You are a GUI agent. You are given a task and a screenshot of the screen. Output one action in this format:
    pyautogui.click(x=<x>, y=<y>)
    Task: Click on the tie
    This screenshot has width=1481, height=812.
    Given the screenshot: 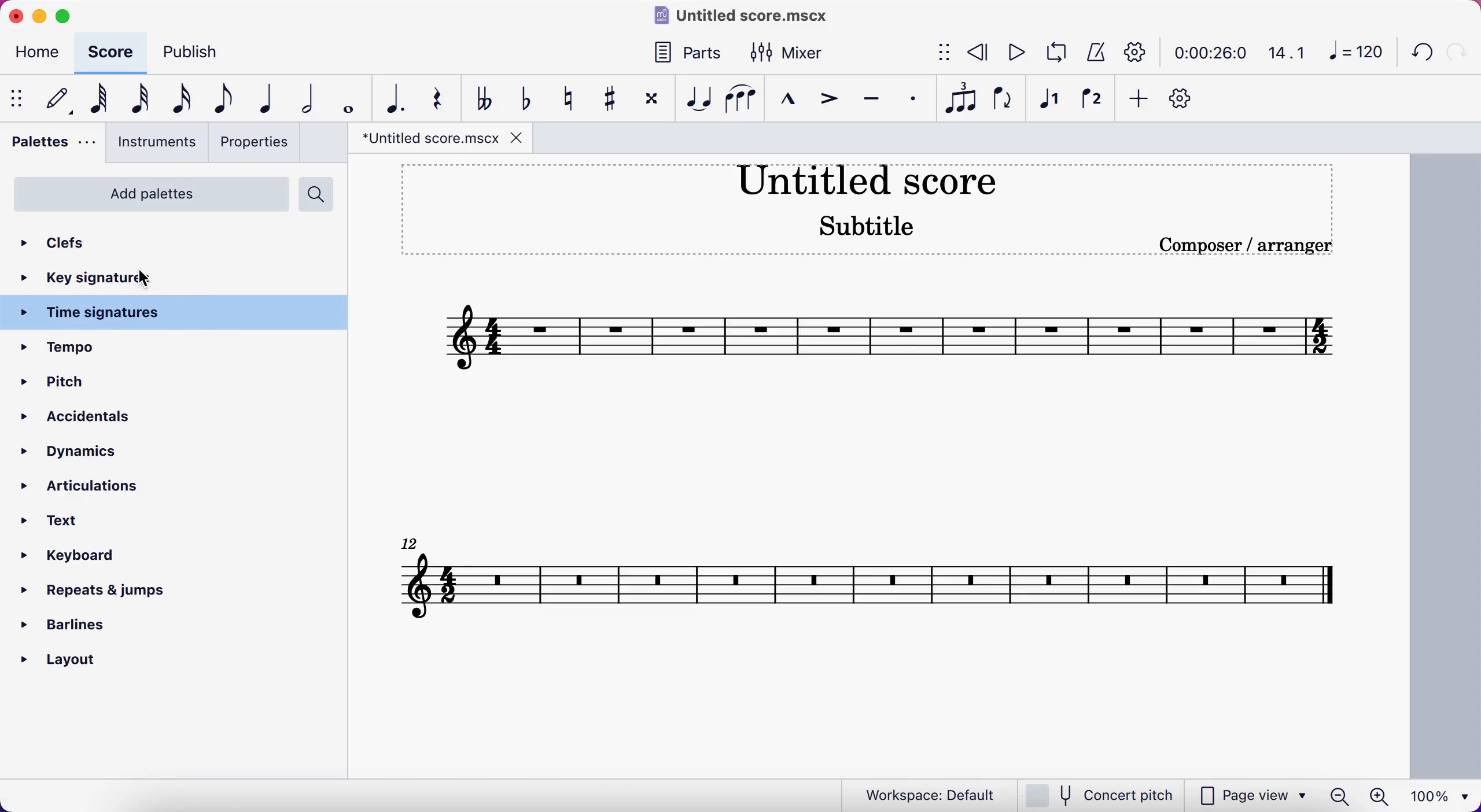 What is the action you would take?
    pyautogui.click(x=698, y=101)
    